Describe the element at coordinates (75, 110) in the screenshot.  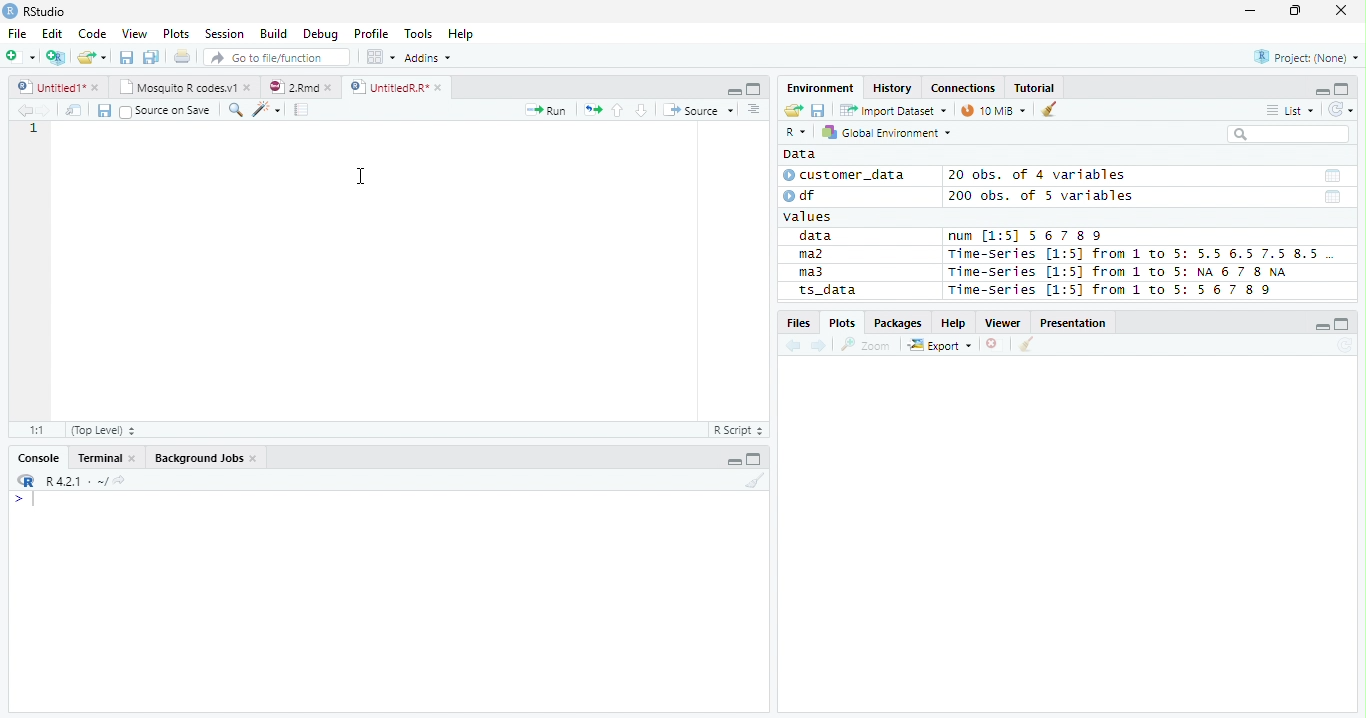
I see `Show in new window` at that location.